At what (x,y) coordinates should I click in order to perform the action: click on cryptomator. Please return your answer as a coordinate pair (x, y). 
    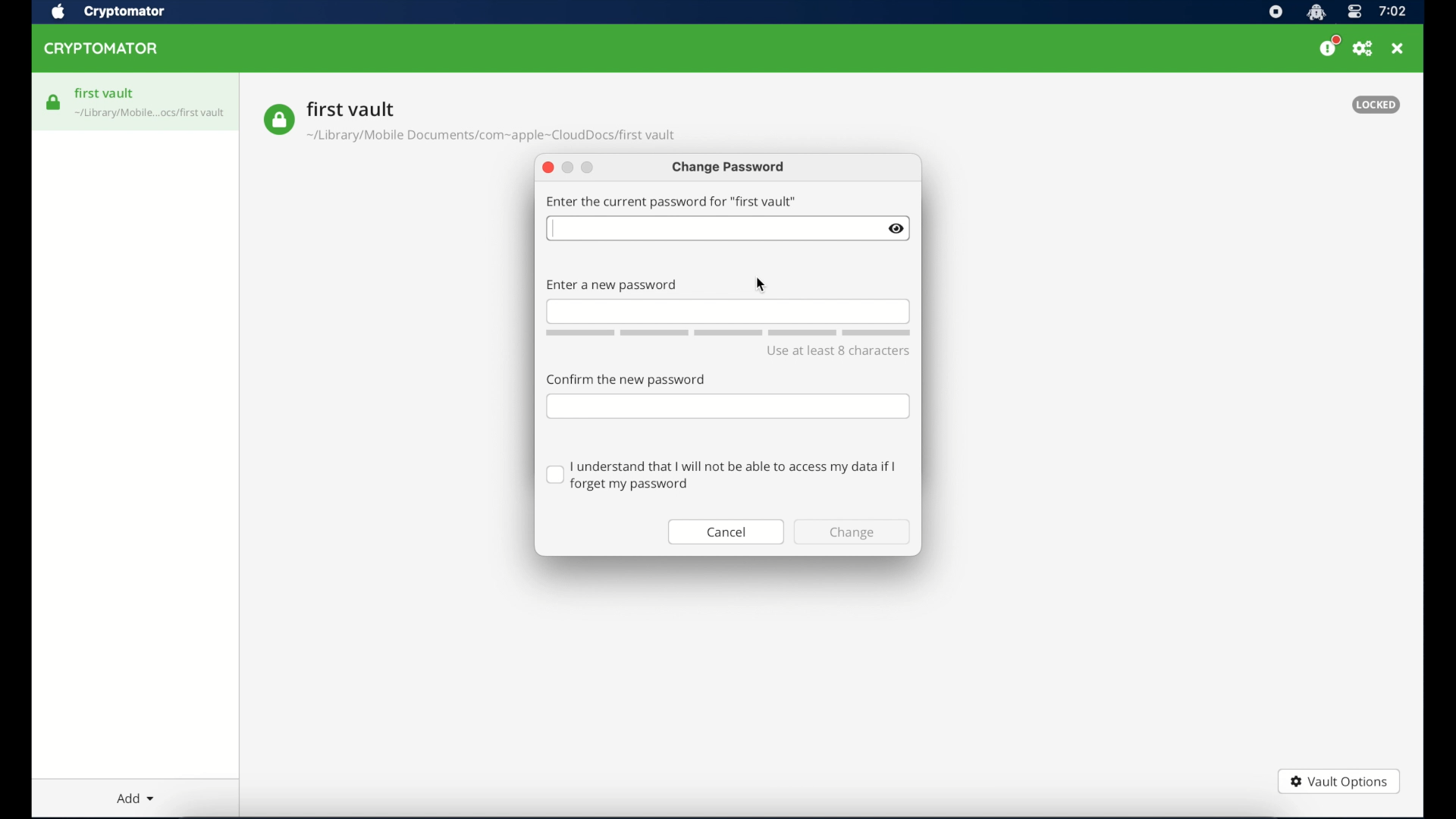
    Looking at the image, I should click on (102, 49).